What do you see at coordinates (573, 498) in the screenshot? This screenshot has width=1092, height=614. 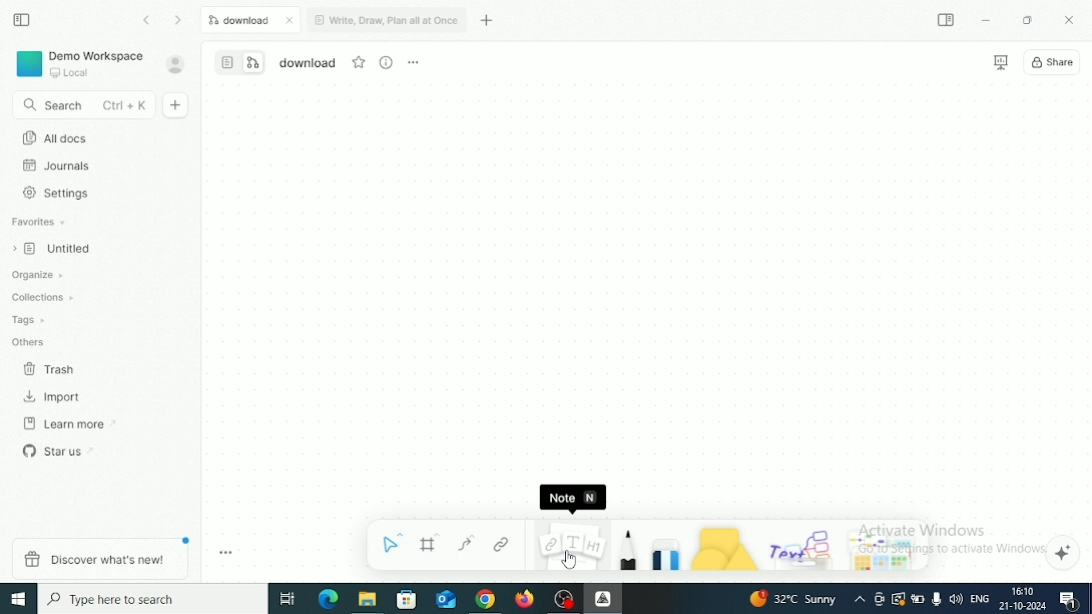 I see `Note` at bounding box center [573, 498].